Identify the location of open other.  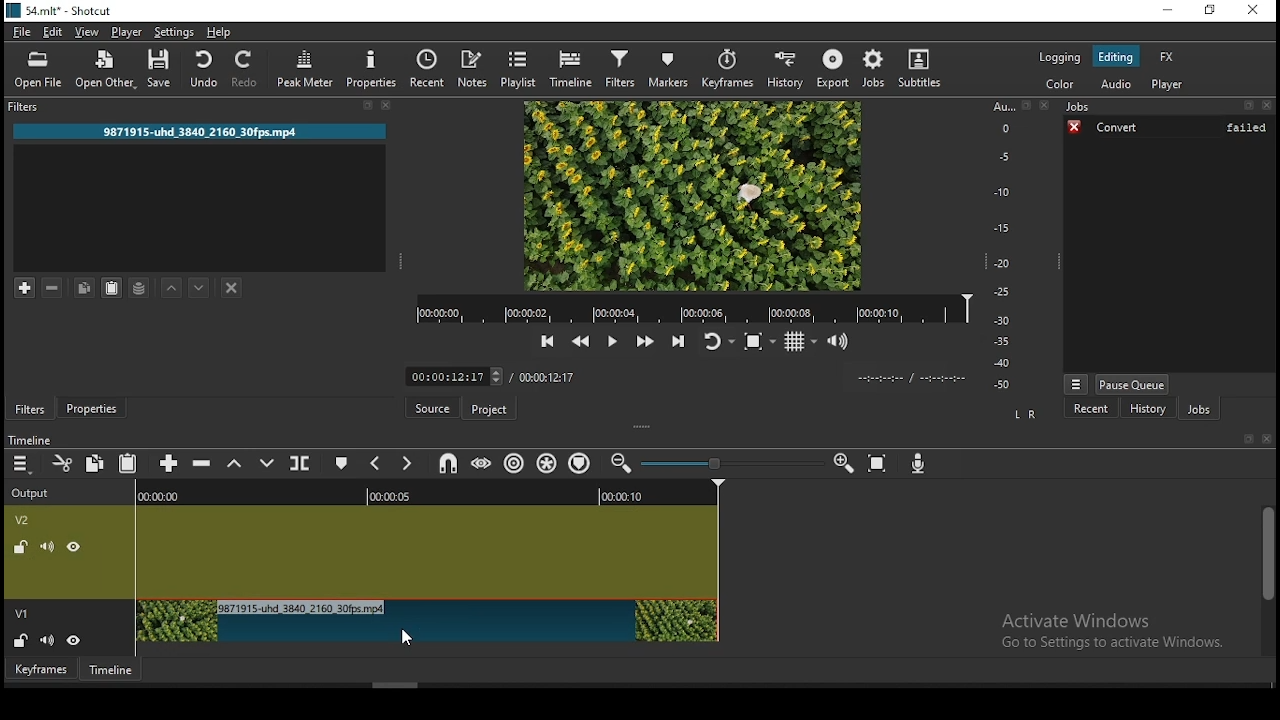
(106, 68).